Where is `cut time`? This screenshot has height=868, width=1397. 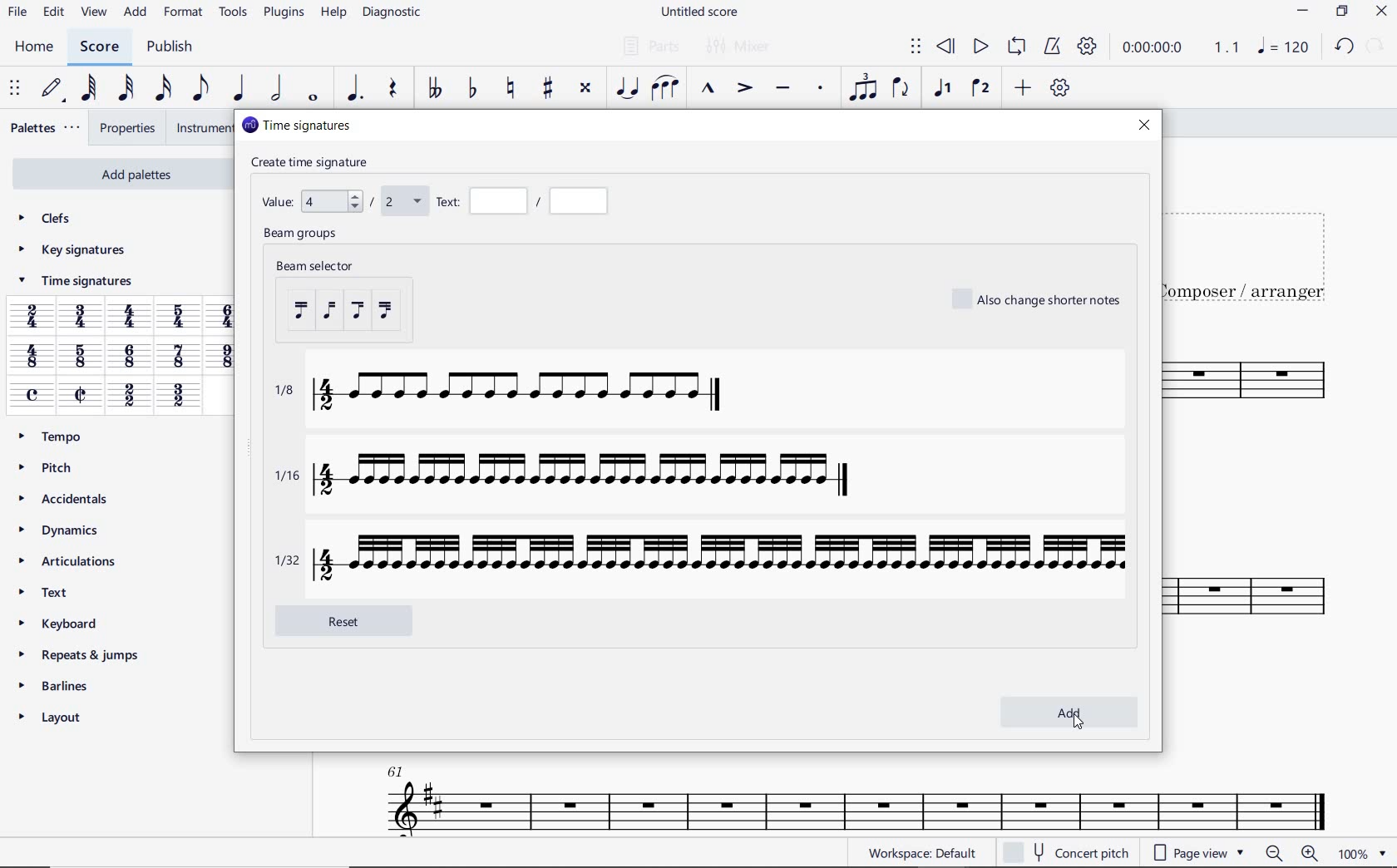 cut time is located at coordinates (80, 394).